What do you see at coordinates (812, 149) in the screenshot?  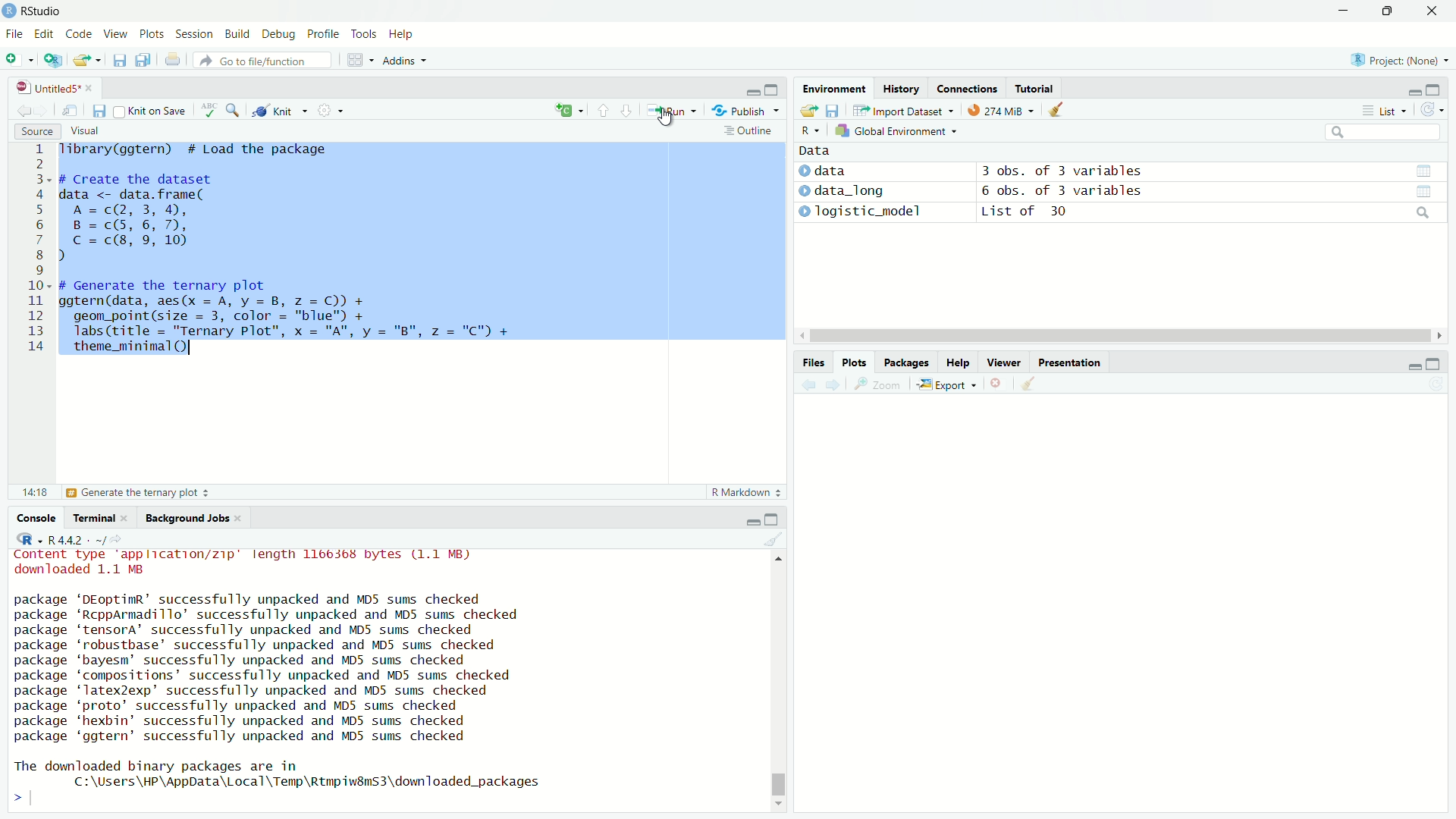 I see `Data` at bounding box center [812, 149].